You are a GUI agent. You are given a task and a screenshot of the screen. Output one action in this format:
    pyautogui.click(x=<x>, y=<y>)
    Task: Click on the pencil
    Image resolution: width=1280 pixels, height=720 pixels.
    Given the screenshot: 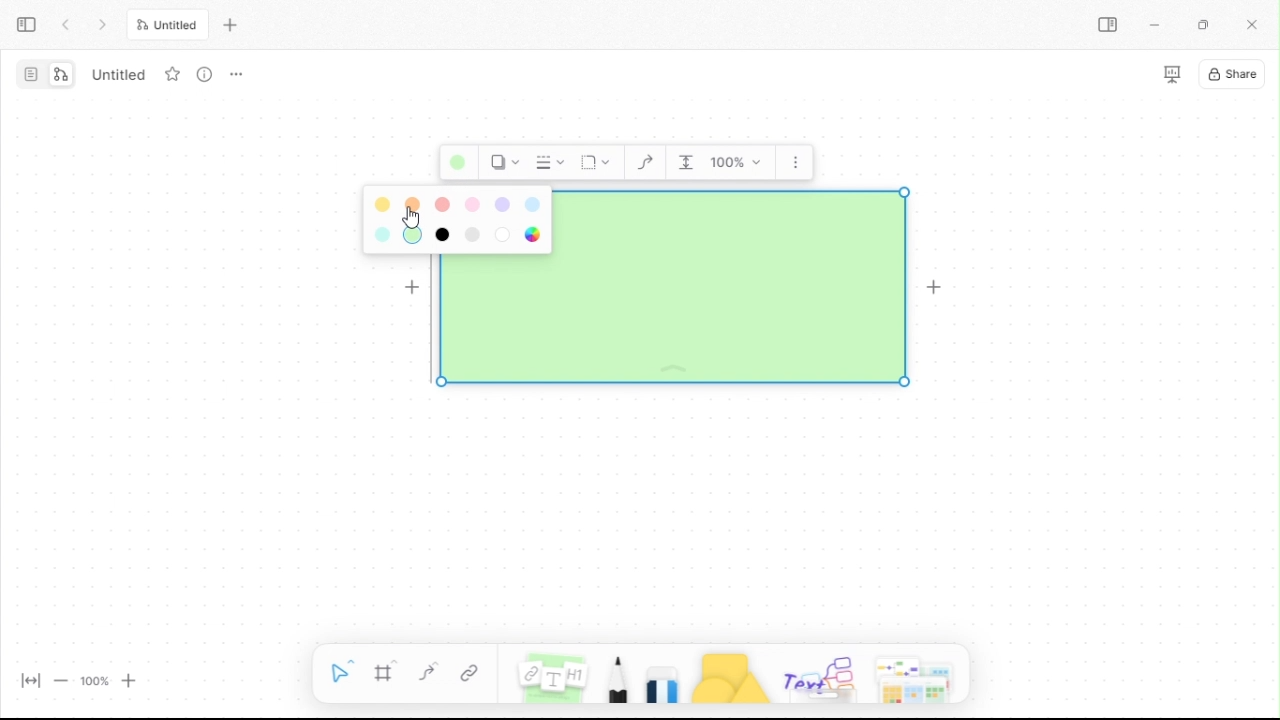 What is the action you would take?
    pyautogui.click(x=615, y=676)
    